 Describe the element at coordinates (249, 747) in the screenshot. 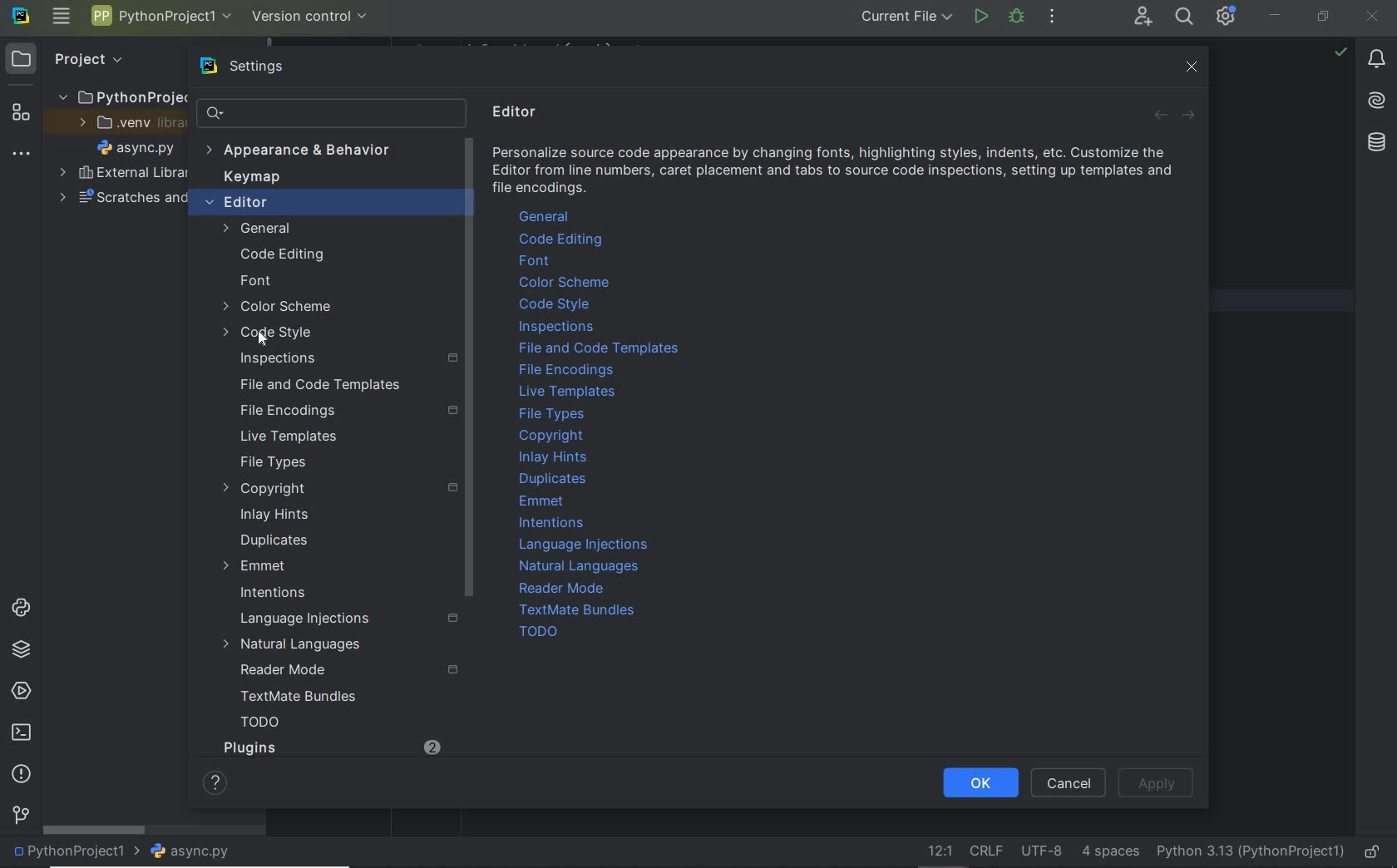

I see `Plugins` at that location.